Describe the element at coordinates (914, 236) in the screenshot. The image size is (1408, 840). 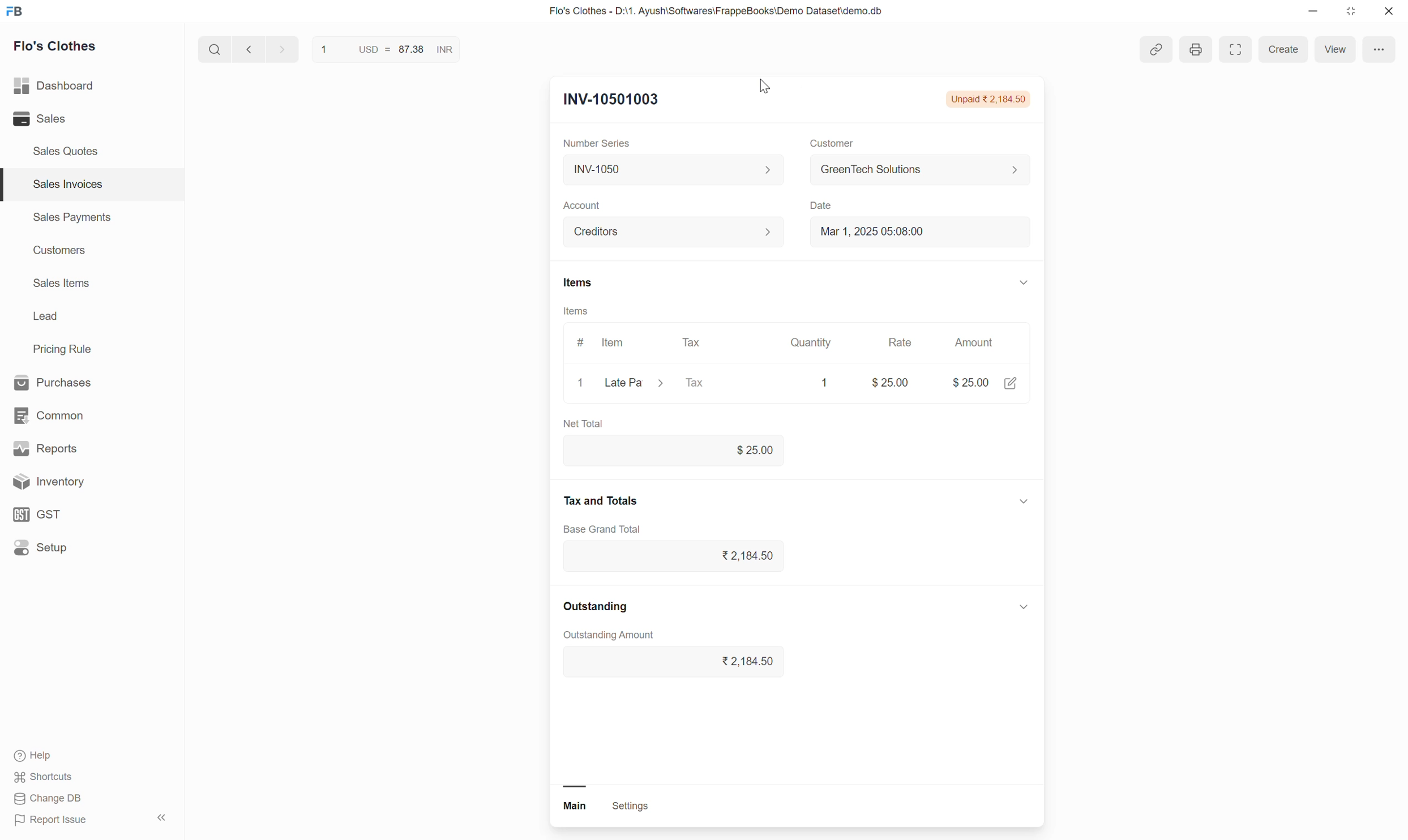
I see `Select date ` at that location.